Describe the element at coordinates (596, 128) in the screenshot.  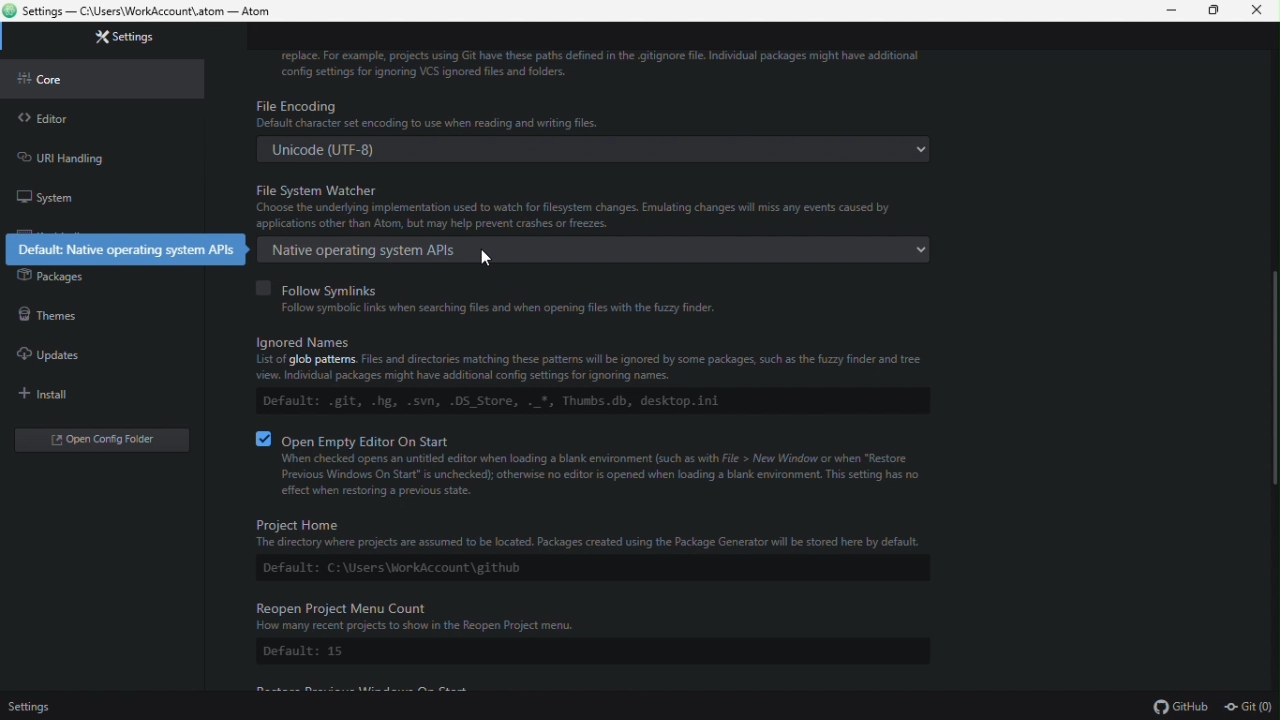
I see `File encoding` at that location.